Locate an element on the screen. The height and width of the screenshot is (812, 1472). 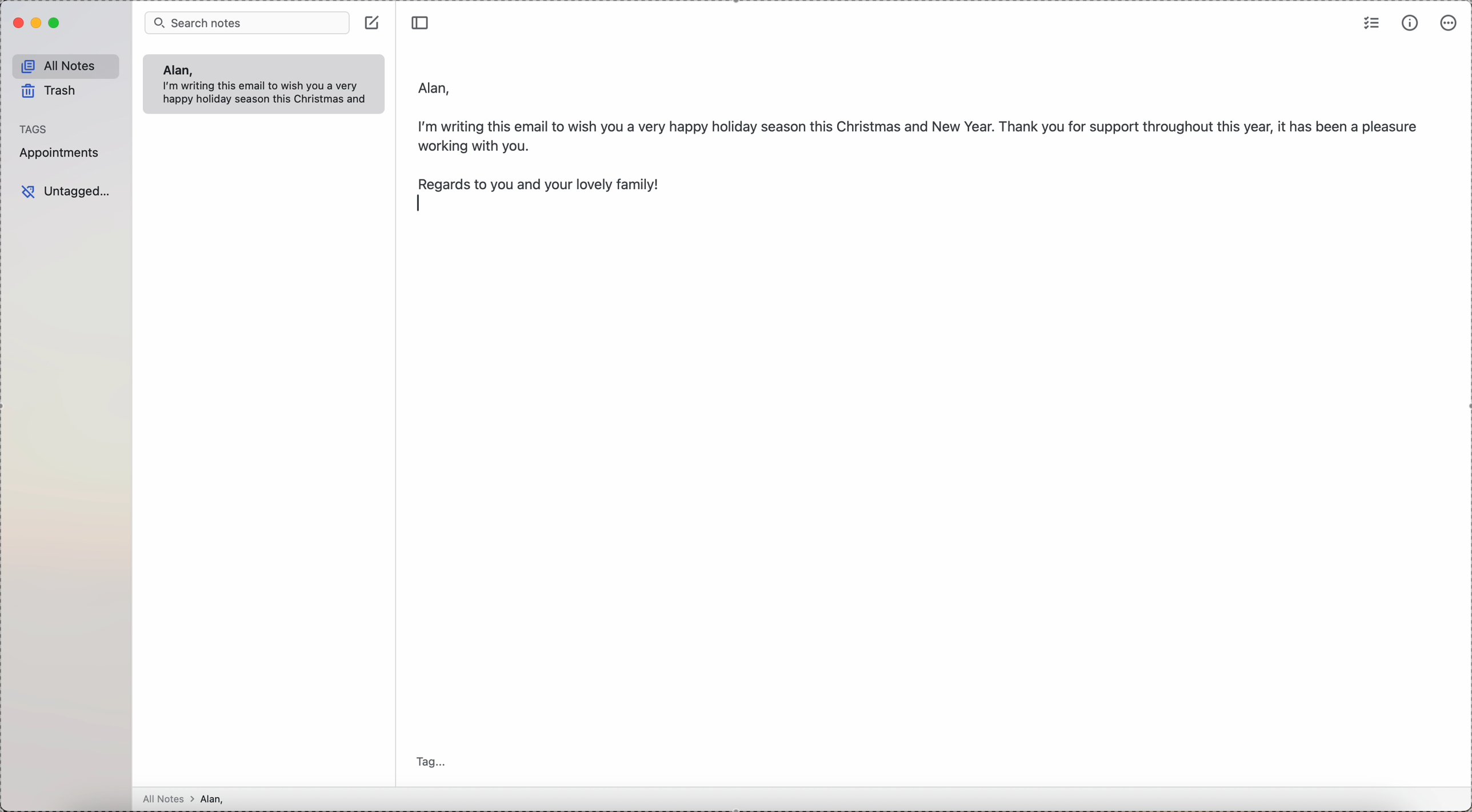
more options is located at coordinates (1449, 23).